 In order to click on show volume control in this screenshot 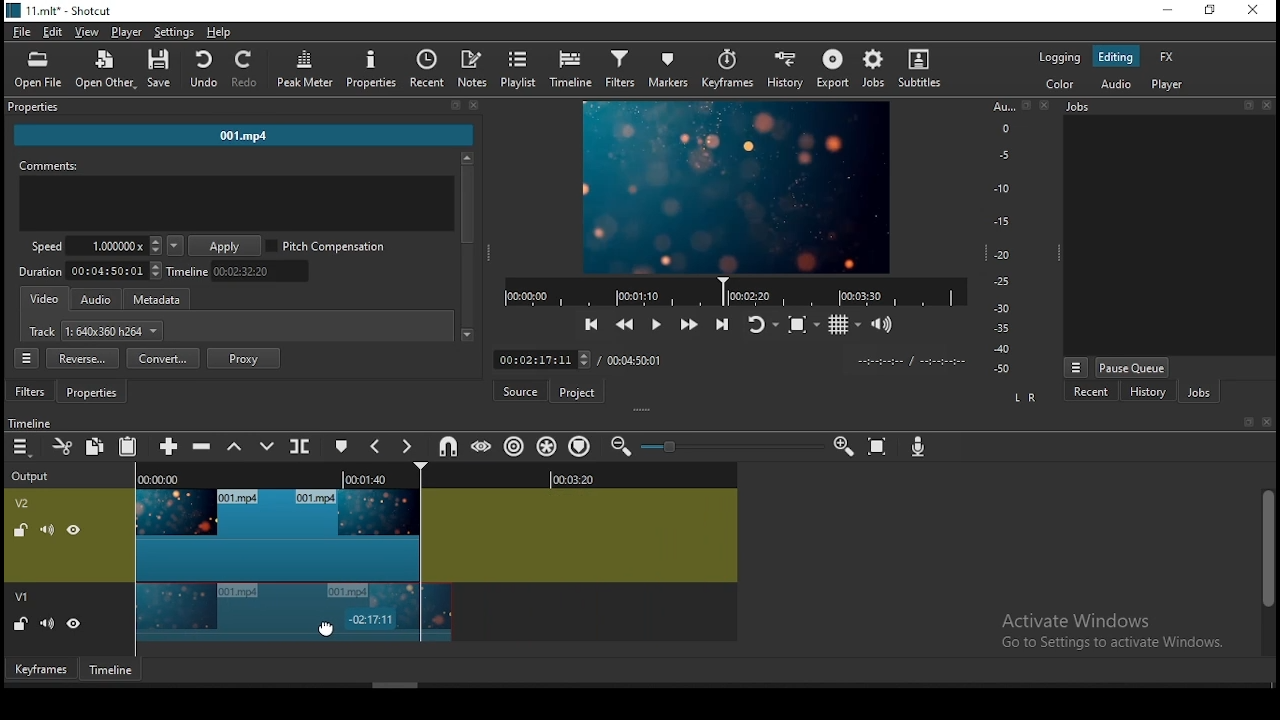, I will do `click(883, 327)`.